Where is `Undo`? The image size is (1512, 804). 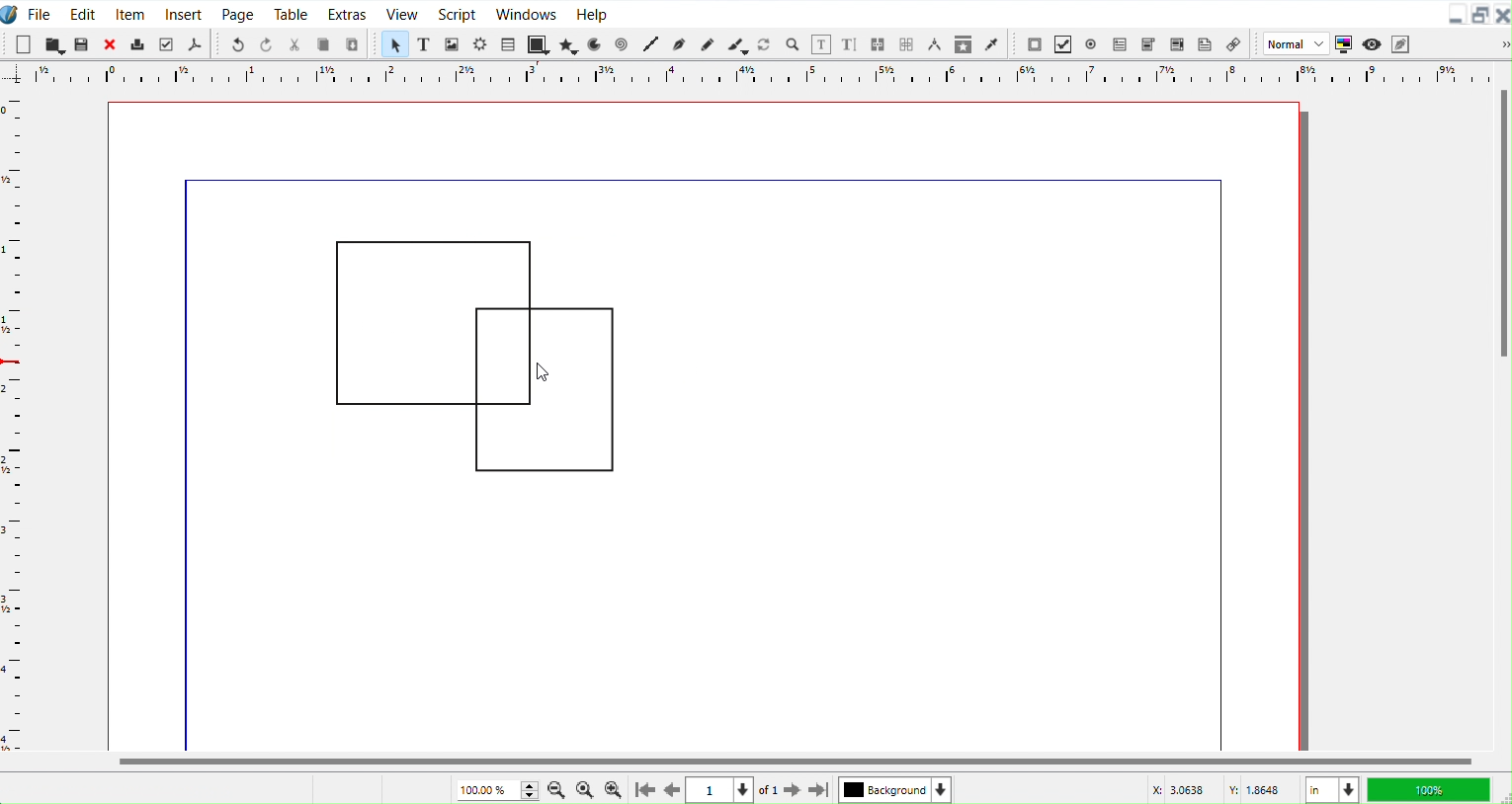 Undo is located at coordinates (237, 43).